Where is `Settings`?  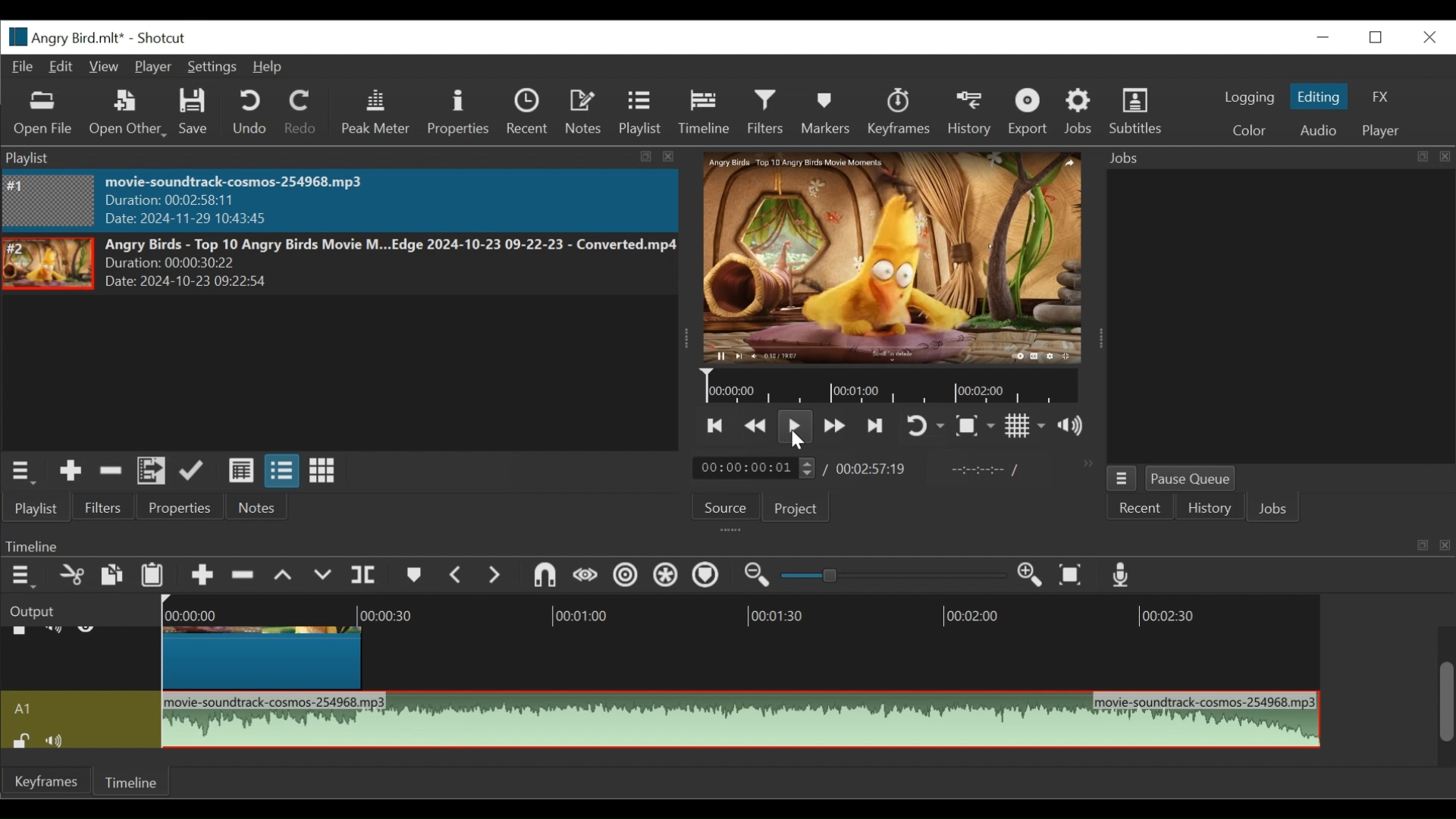
Settings is located at coordinates (210, 67).